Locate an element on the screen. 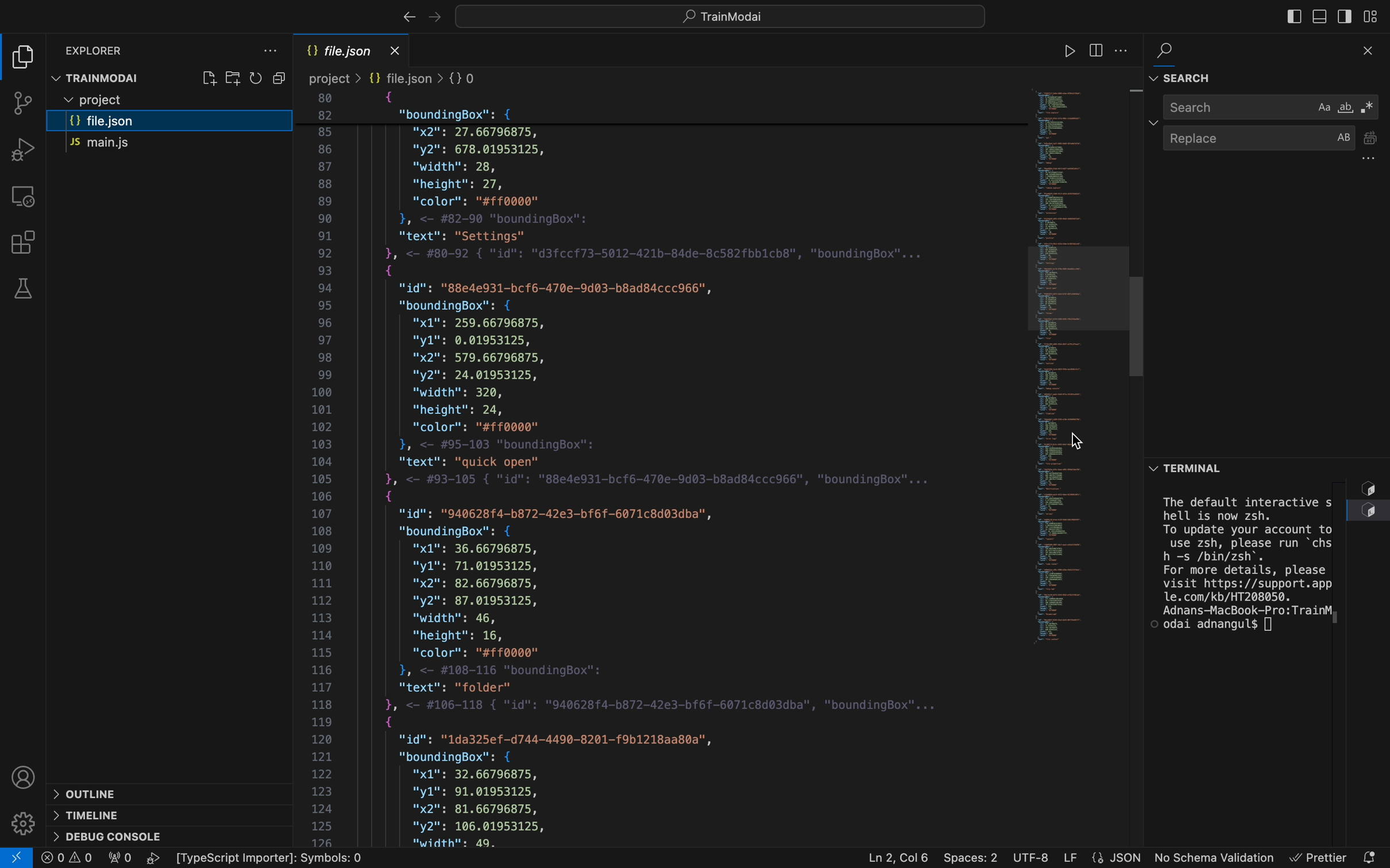 The width and height of the screenshot is (1390, 868). cursor is located at coordinates (1092, 439).